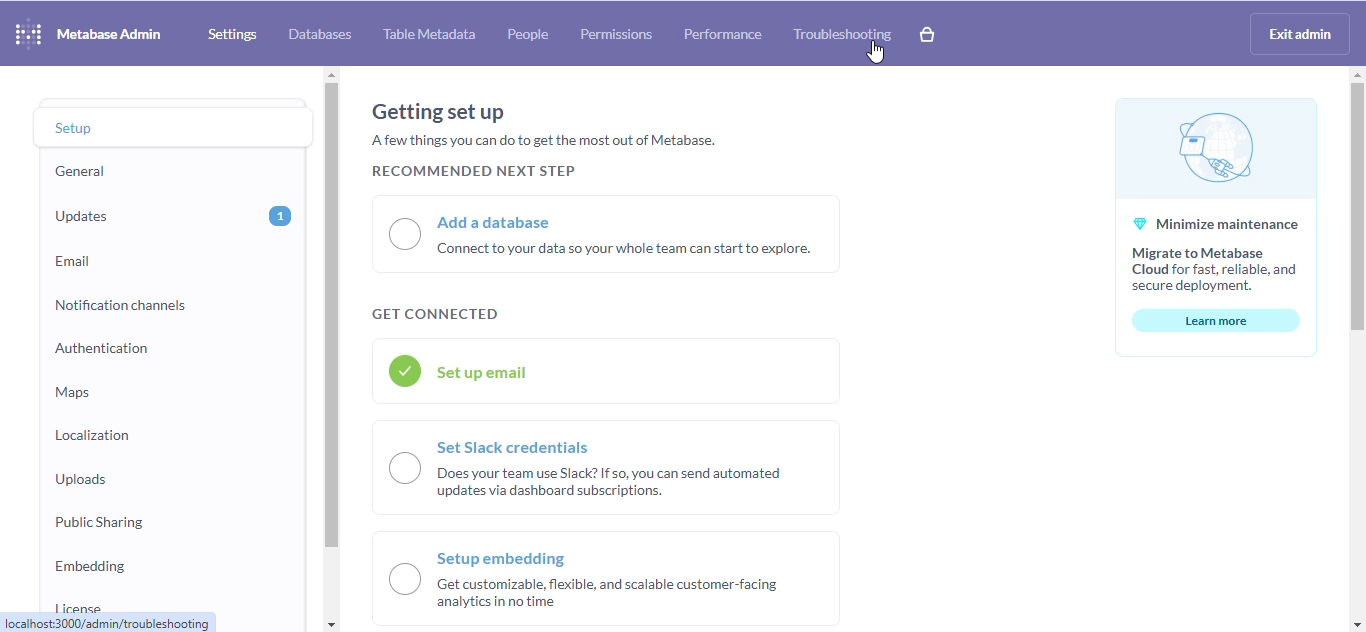 The height and width of the screenshot is (632, 1366). Describe the element at coordinates (95, 127) in the screenshot. I see `setup` at that location.